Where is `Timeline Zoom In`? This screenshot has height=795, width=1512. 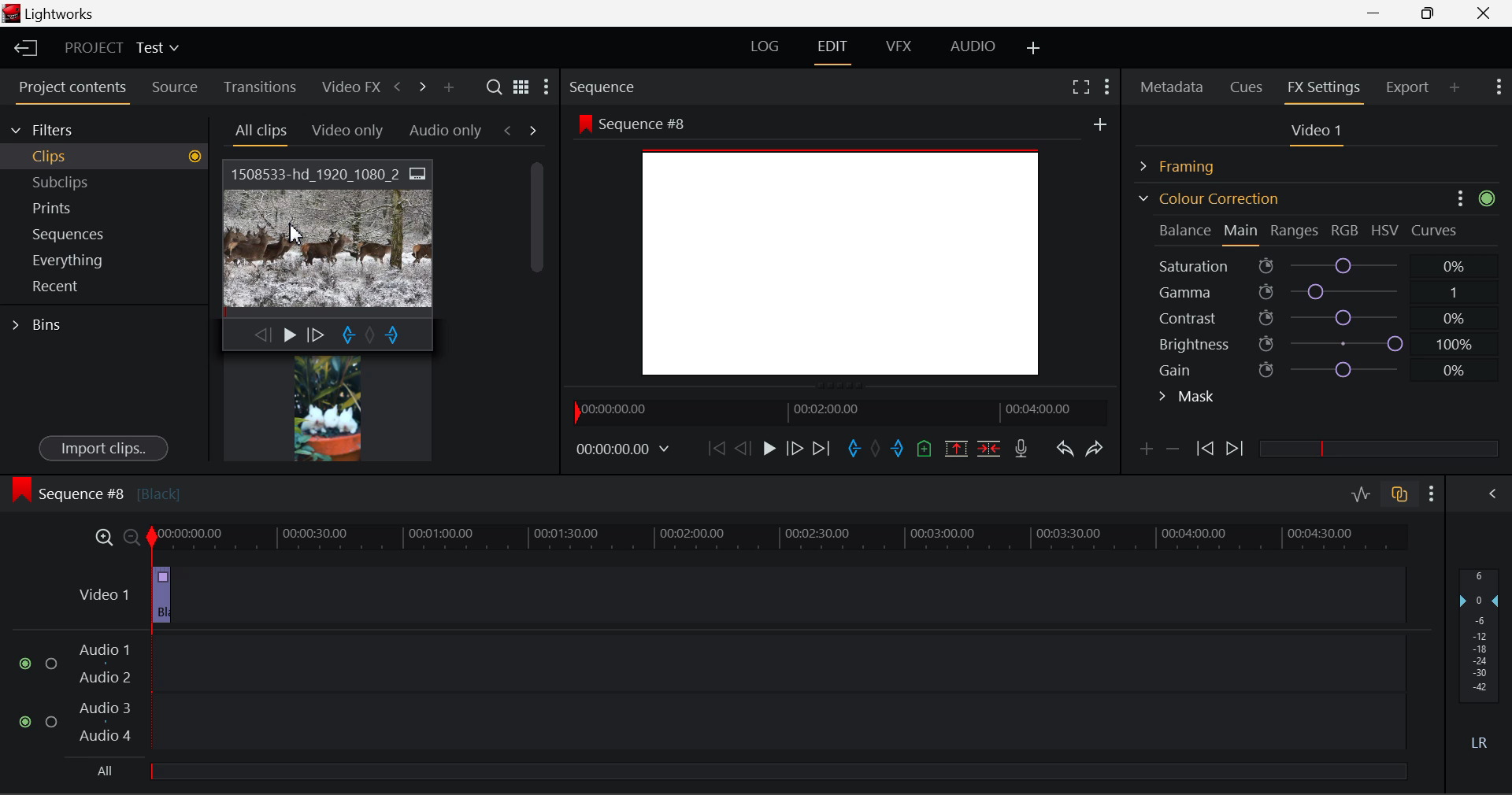 Timeline Zoom In is located at coordinates (101, 537).